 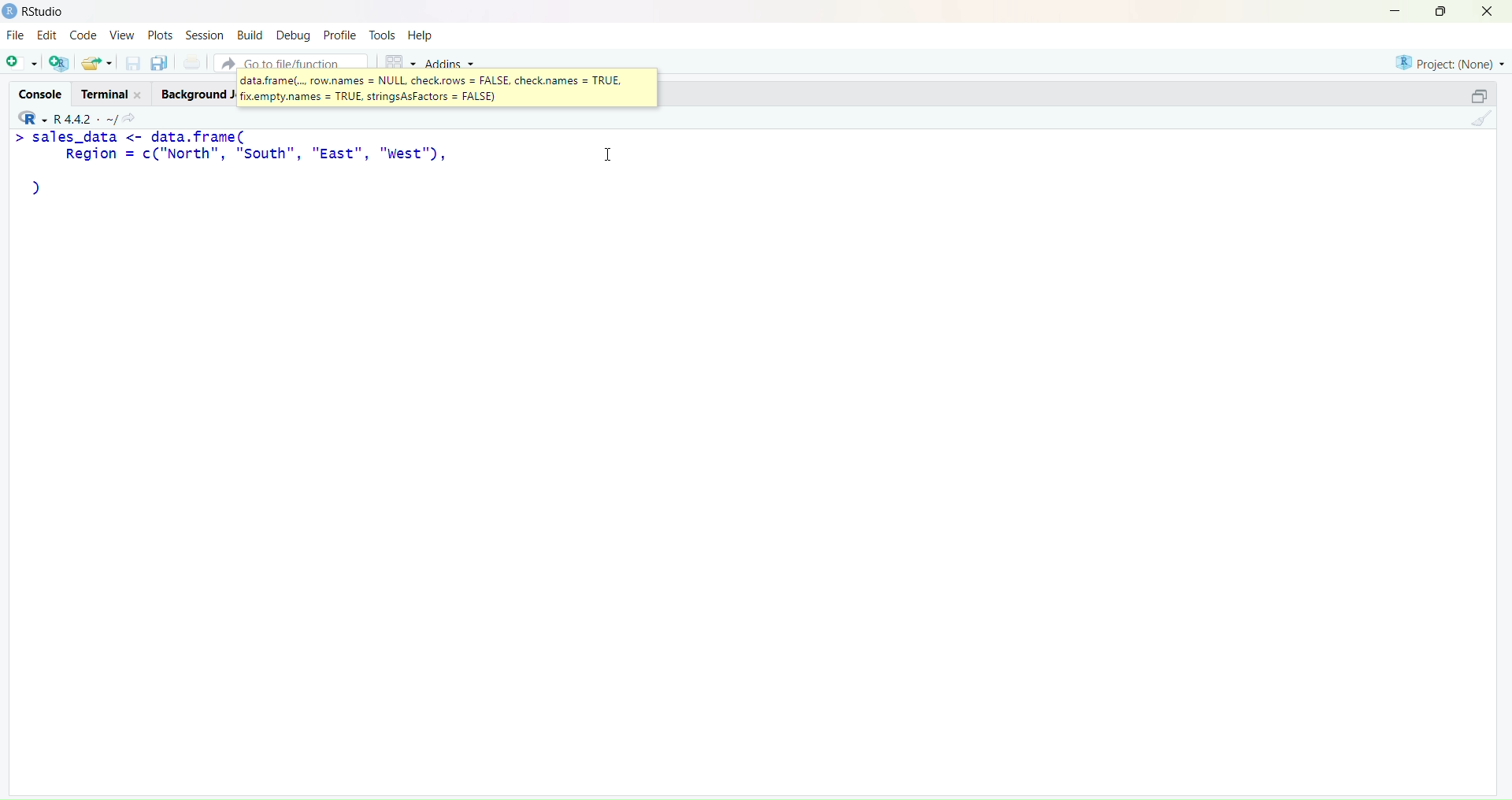 What do you see at coordinates (447, 88) in the screenshot?
I see `data.frame(... row.names = NULL check.rows = FALSE, check.names = TRUE.colic = THE shkinaAatons. = FALSE` at bounding box center [447, 88].